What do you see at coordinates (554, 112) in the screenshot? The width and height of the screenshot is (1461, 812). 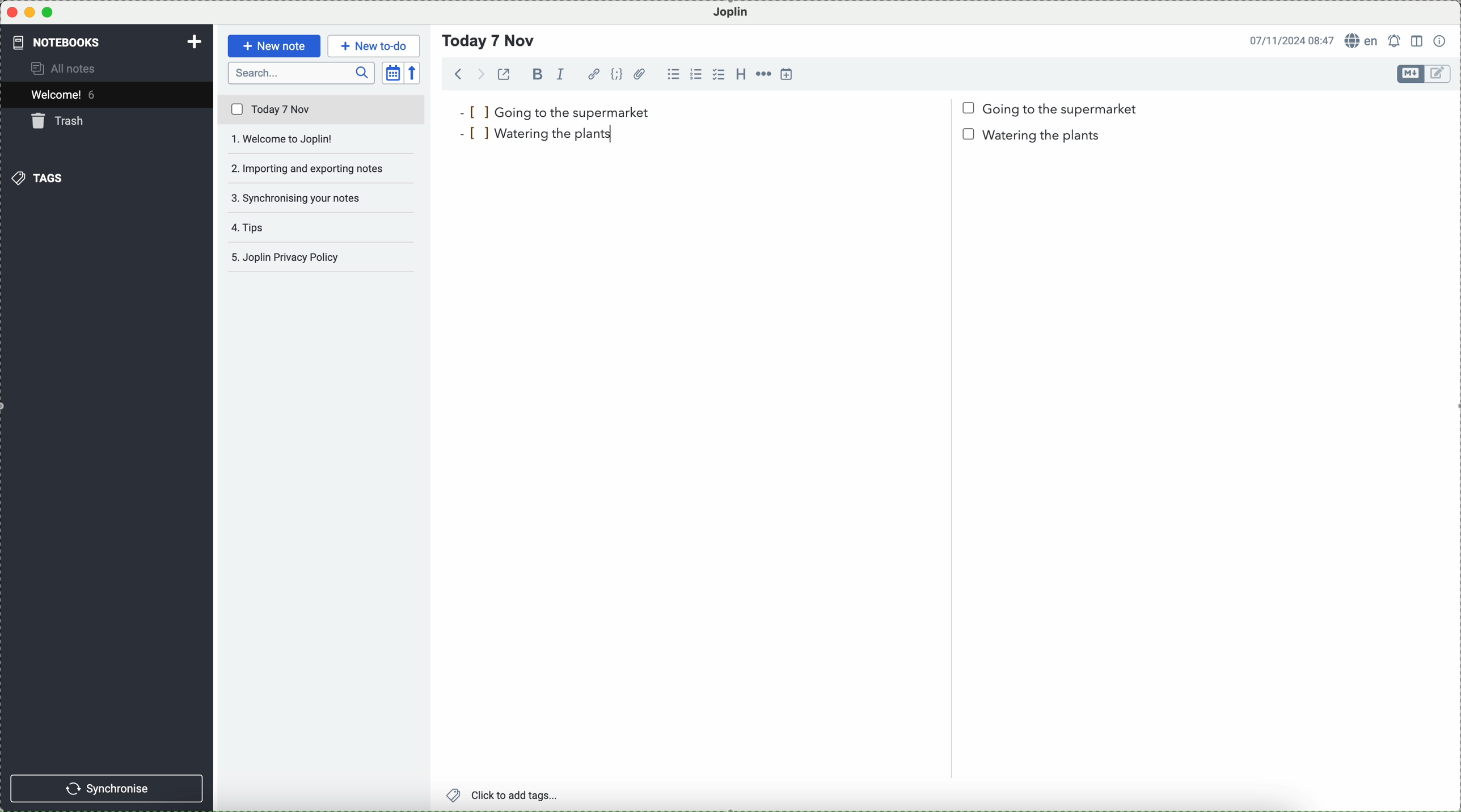 I see `going to the supermarket` at bounding box center [554, 112].